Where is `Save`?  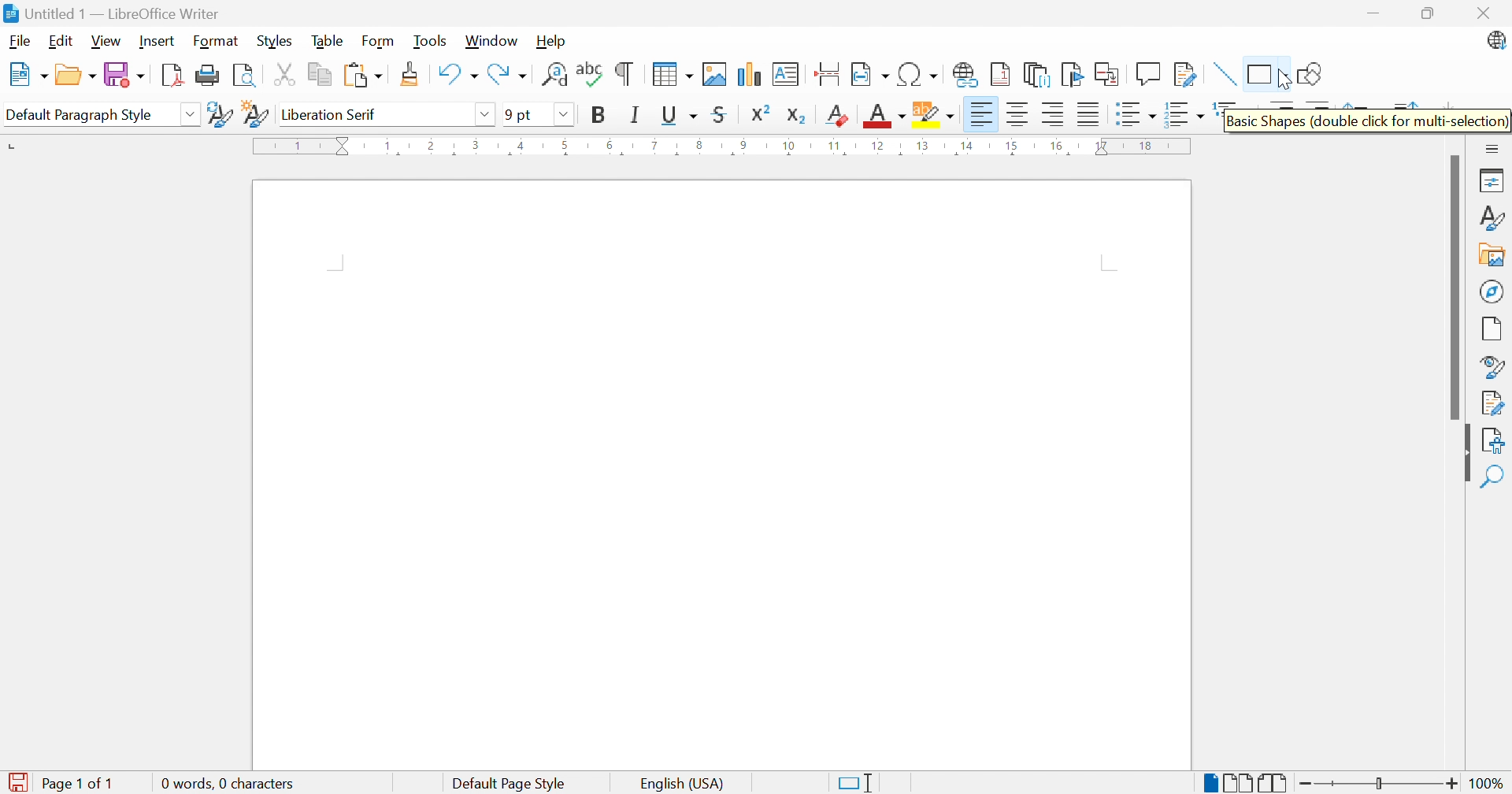
Save is located at coordinates (125, 74).